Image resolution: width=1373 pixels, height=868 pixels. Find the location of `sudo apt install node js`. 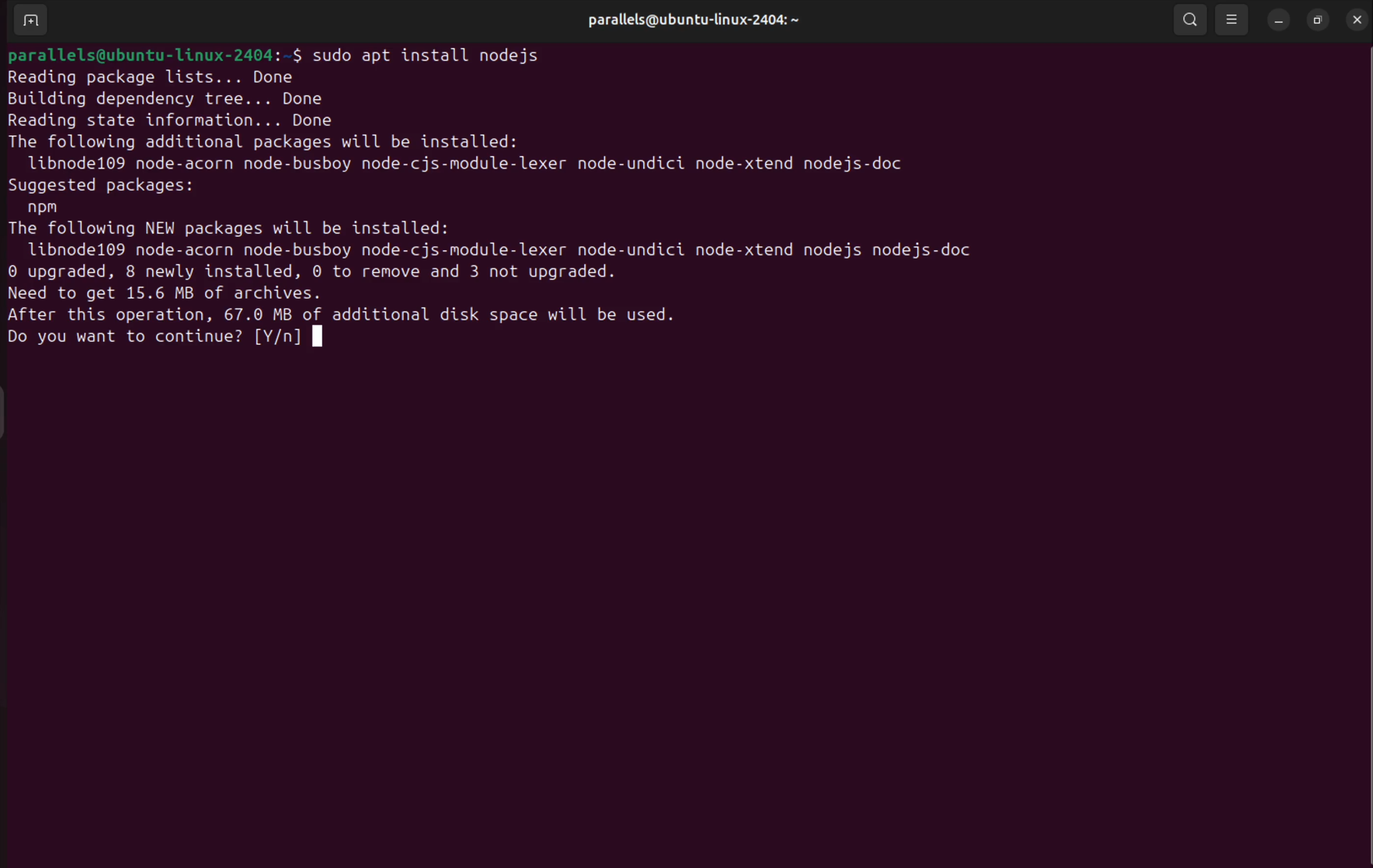

sudo apt install node js is located at coordinates (434, 52).